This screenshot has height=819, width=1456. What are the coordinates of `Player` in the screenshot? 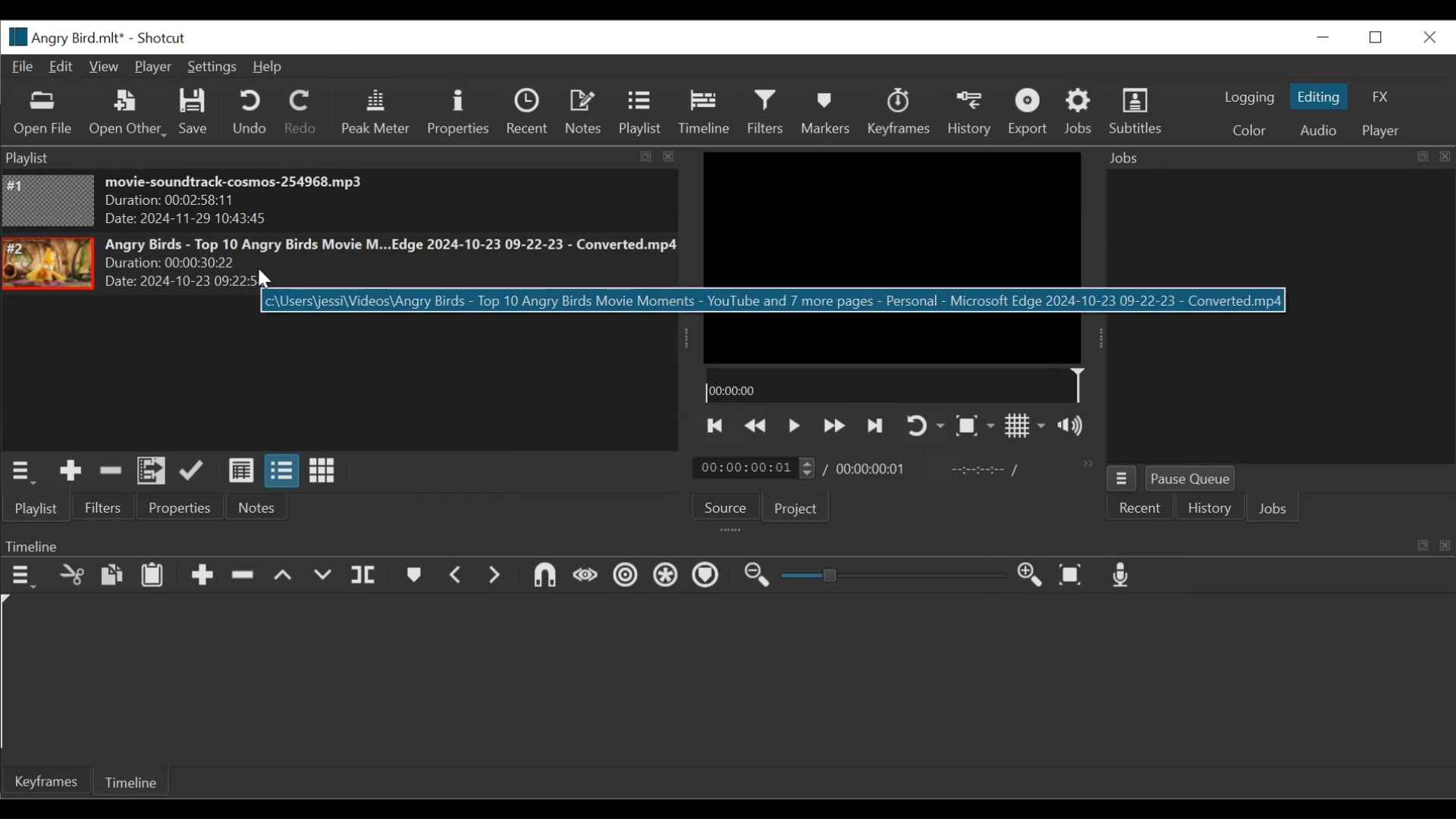 It's located at (151, 67).